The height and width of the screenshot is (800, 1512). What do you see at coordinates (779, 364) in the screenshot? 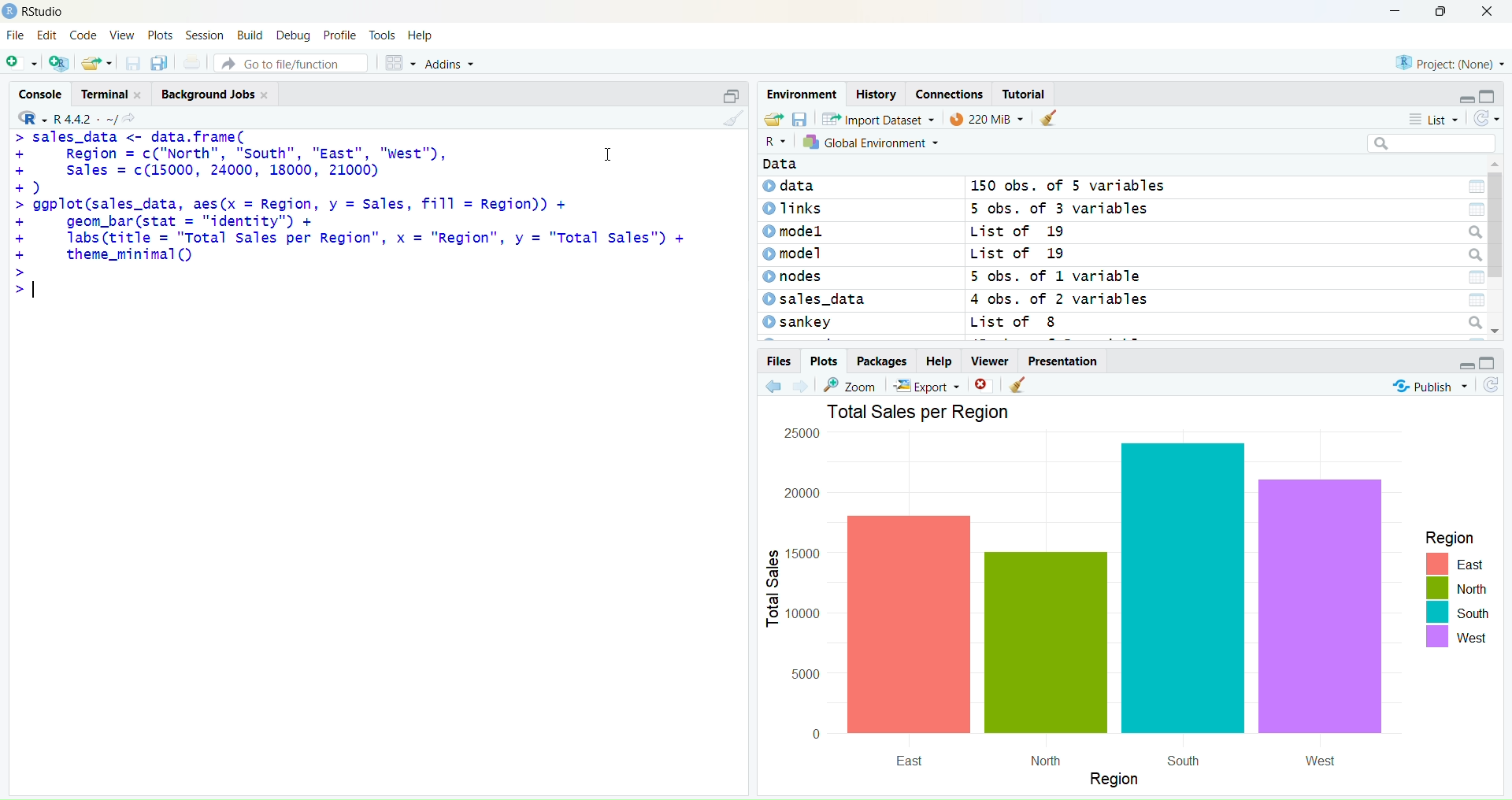
I see `Files` at bounding box center [779, 364].